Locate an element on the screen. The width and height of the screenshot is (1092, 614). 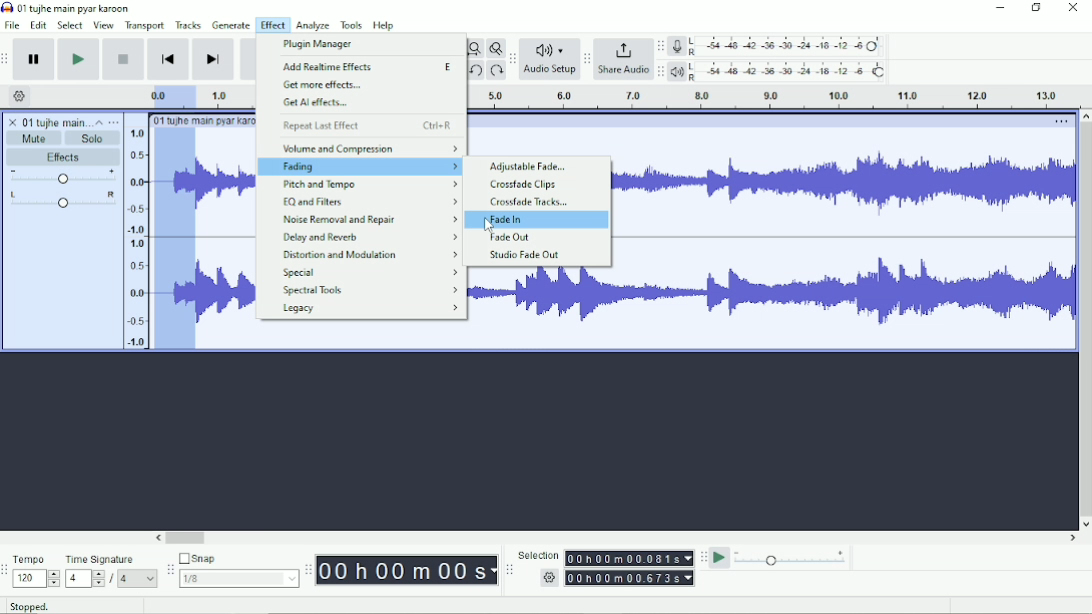
Audacity time toolbar is located at coordinates (307, 570).